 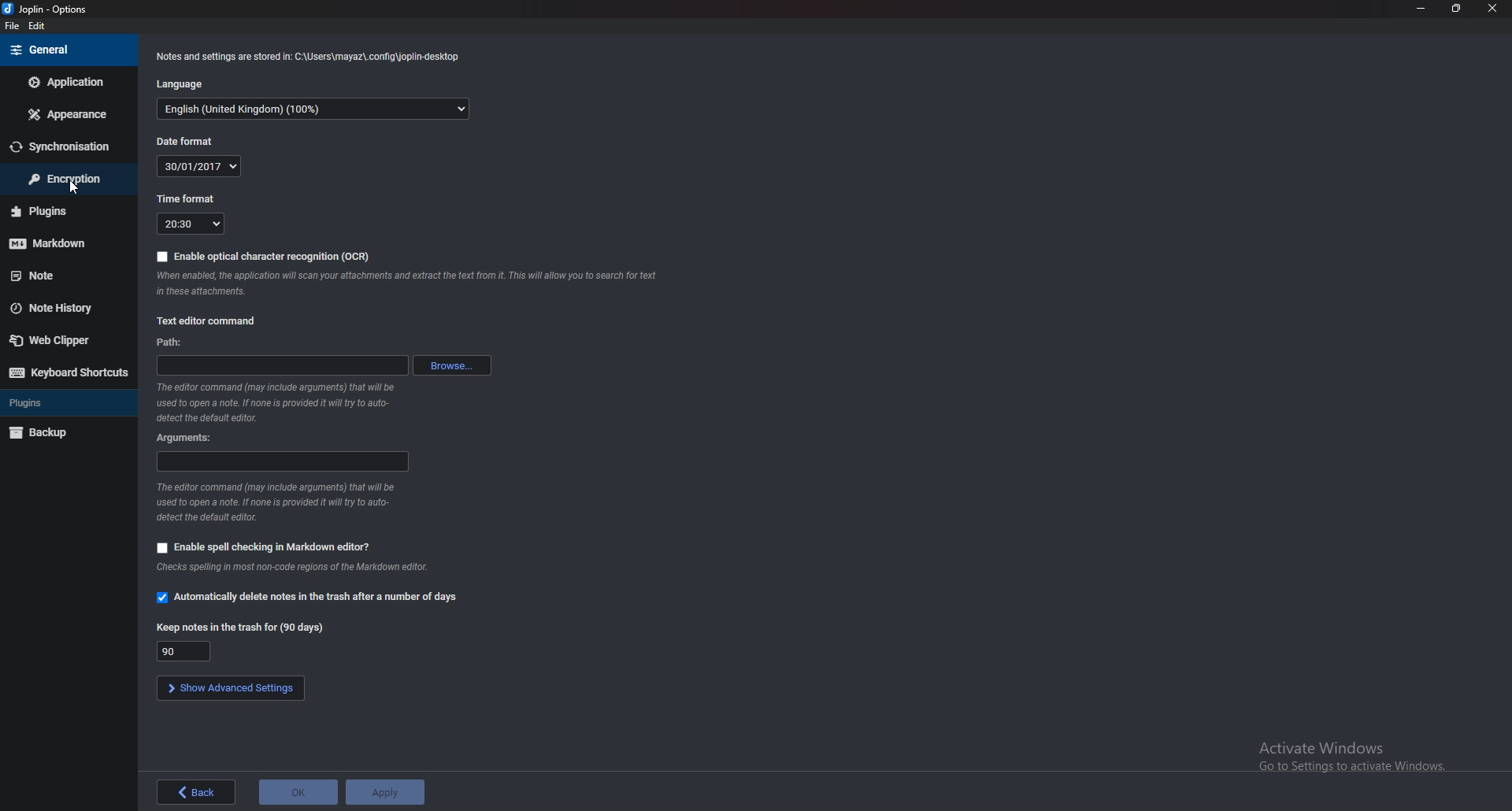 What do you see at coordinates (64, 245) in the screenshot?
I see `markdown` at bounding box center [64, 245].